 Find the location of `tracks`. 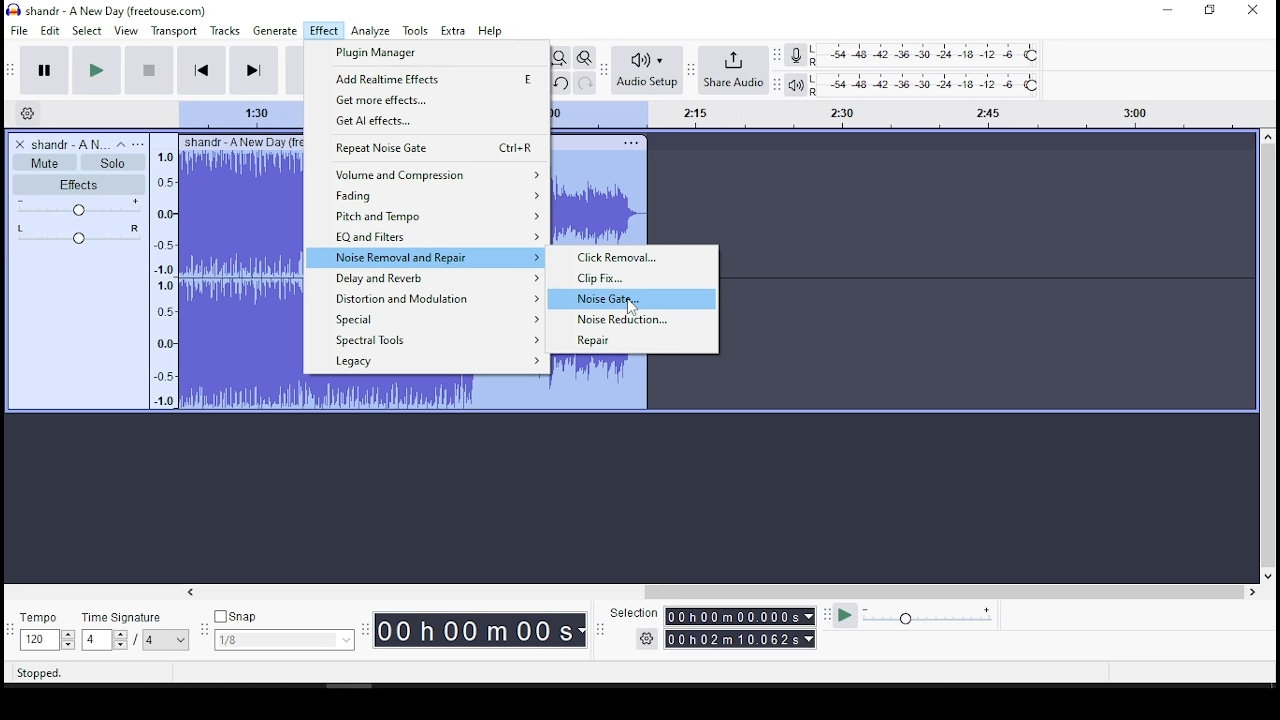

tracks is located at coordinates (225, 31).